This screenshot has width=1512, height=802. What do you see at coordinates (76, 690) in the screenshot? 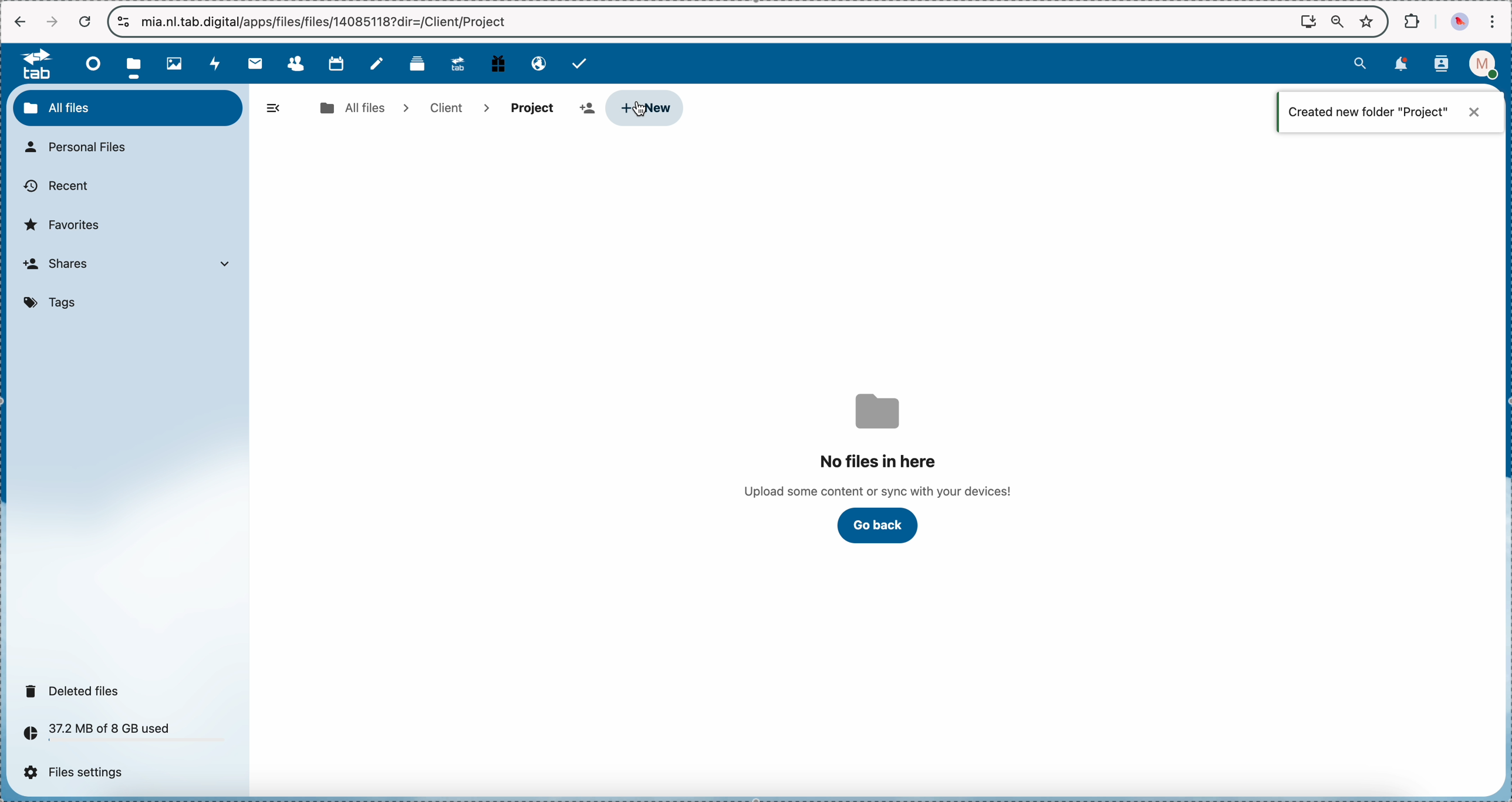
I see `deleted files` at bounding box center [76, 690].